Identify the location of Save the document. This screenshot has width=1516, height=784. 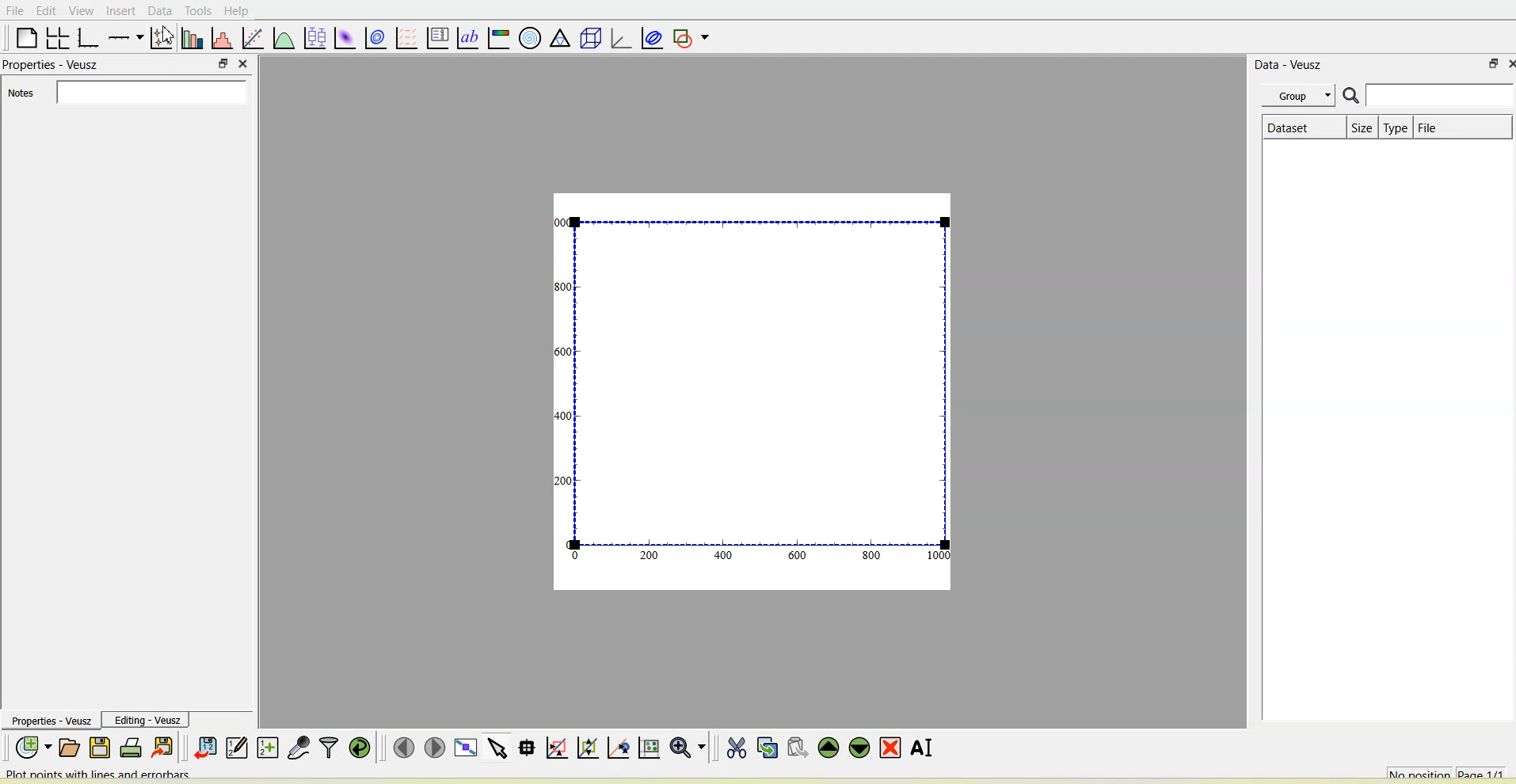
(101, 748).